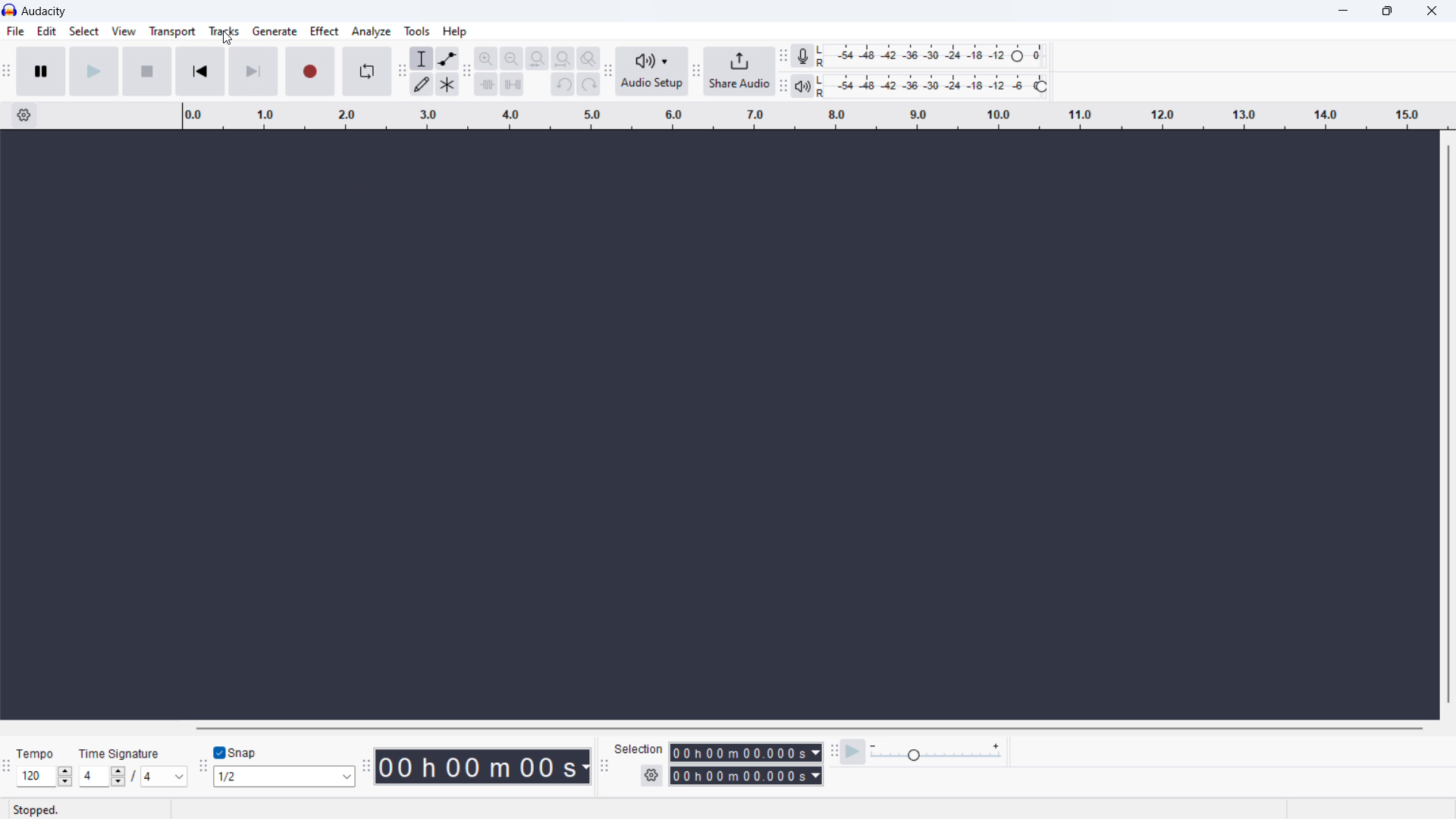 This screenshot has width=1456, height=819. Describe the element at coordinates (401, 72) in the screenshot. I see `audacity tools toolbar` at that location.